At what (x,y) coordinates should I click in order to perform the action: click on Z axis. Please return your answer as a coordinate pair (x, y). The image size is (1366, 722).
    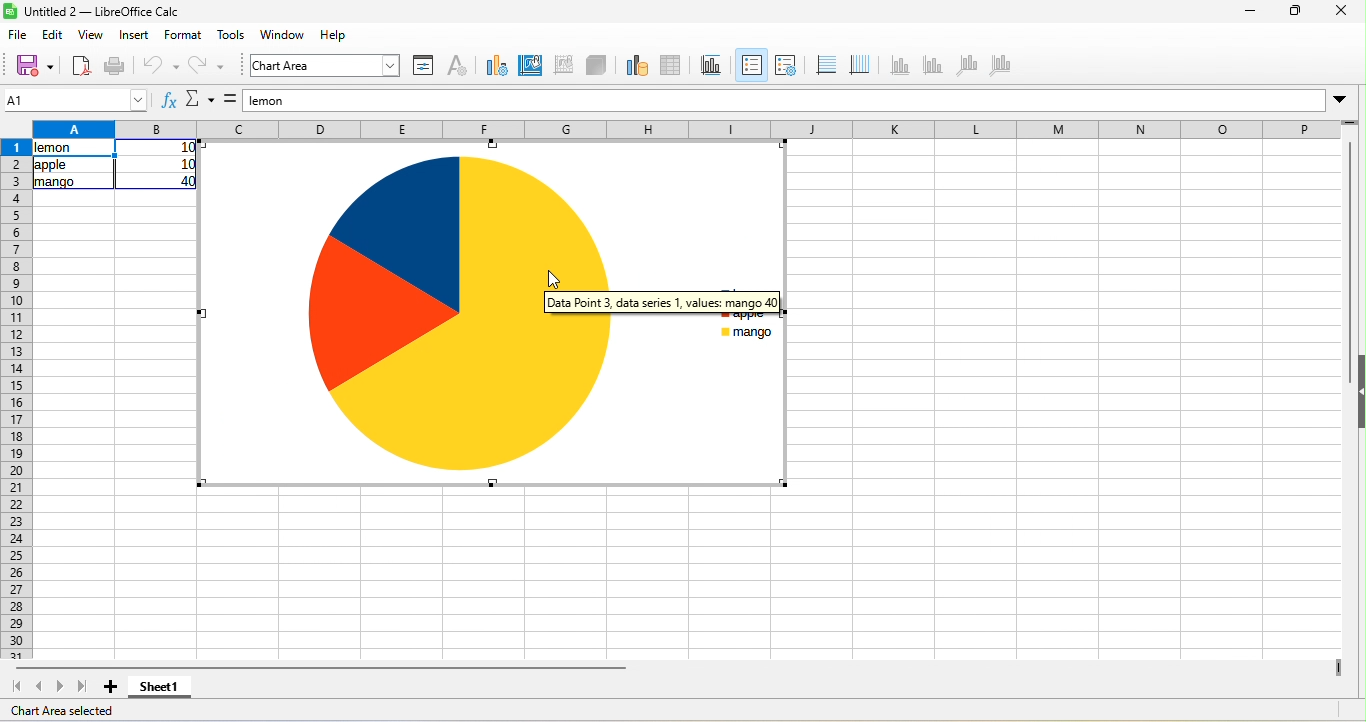
    Looking at the image, I should click on (971, 68).